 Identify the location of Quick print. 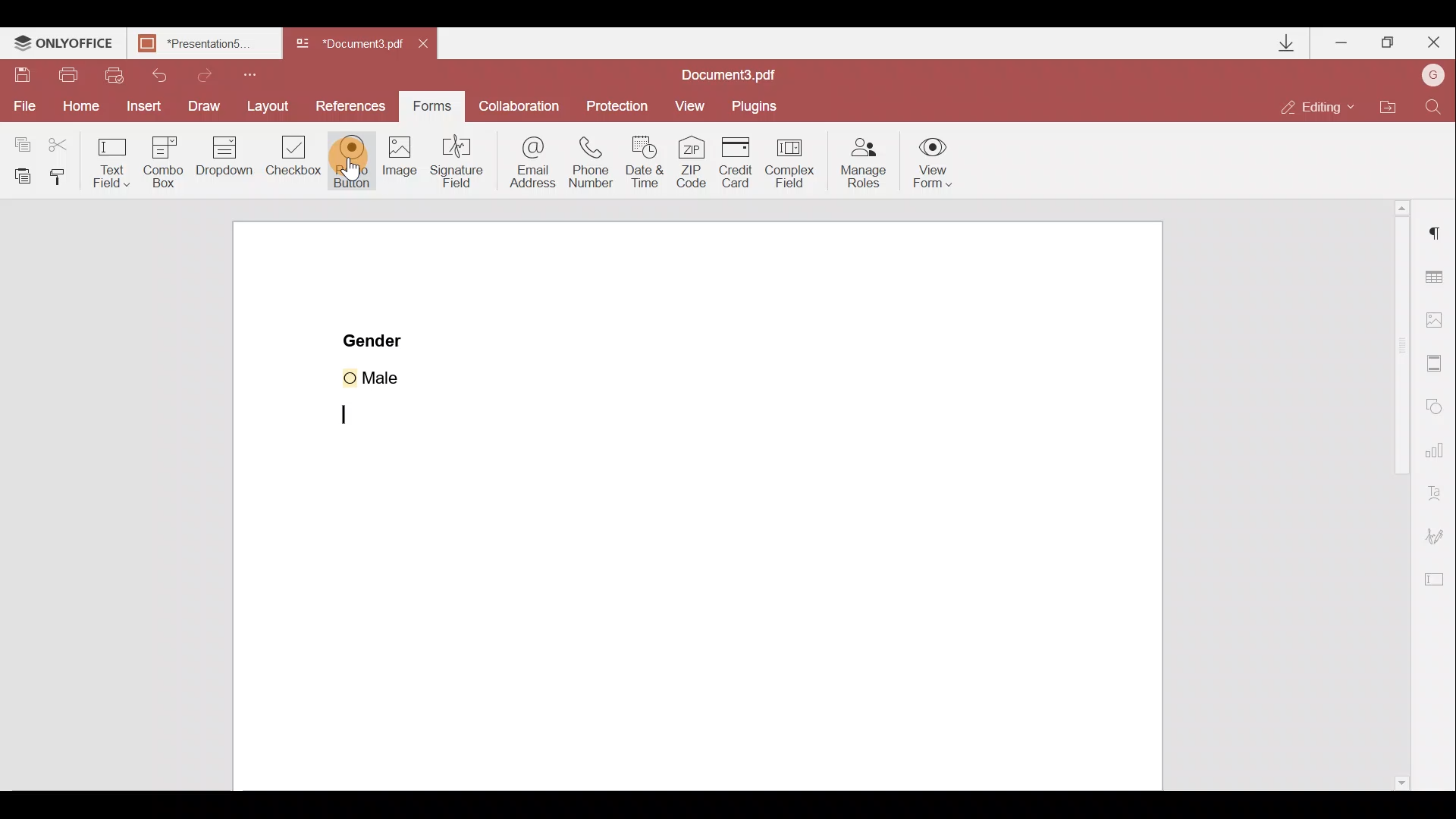
(120, 73).